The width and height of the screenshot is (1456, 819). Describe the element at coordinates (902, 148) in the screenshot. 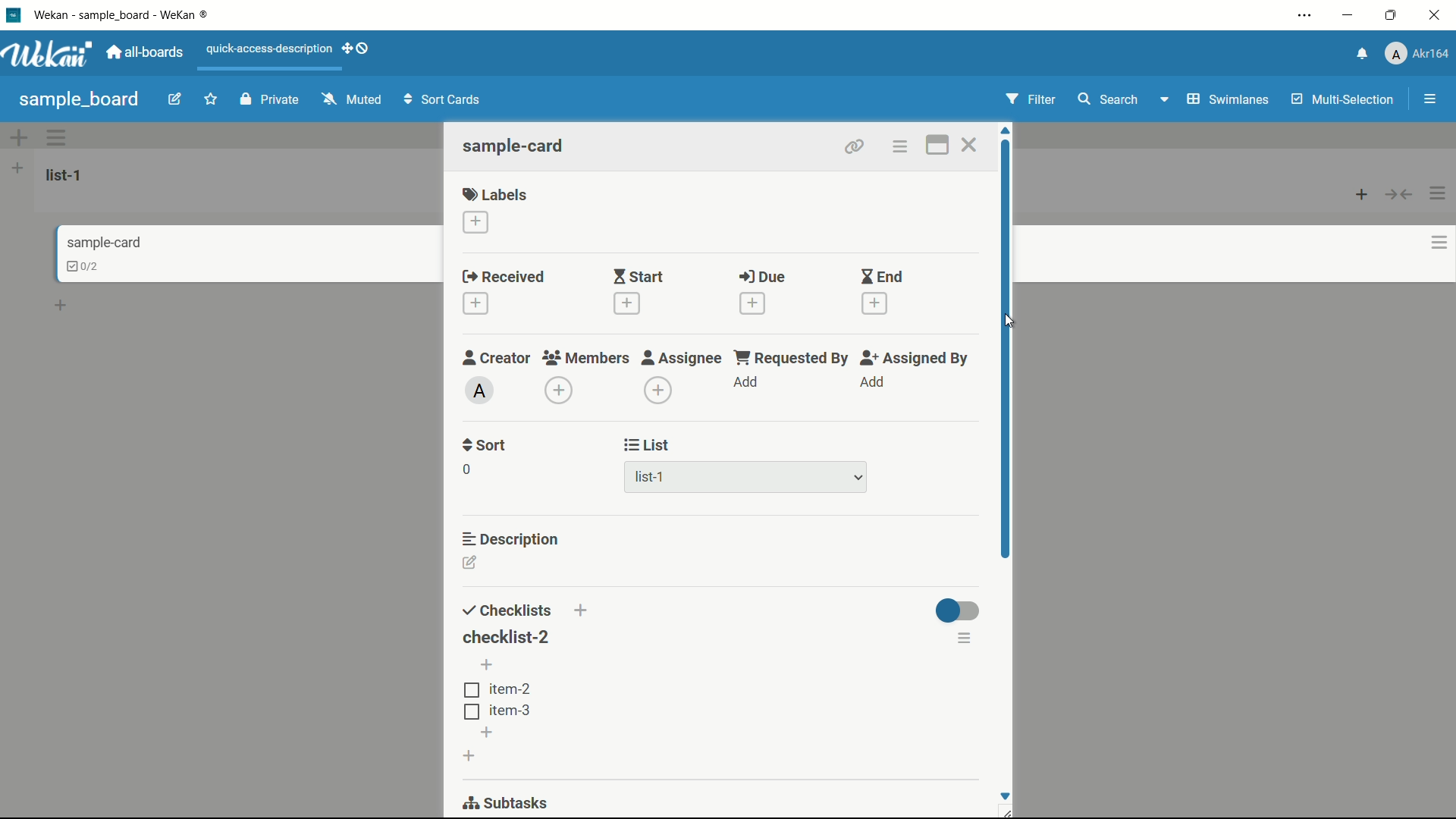

I see `card actions` at that location.